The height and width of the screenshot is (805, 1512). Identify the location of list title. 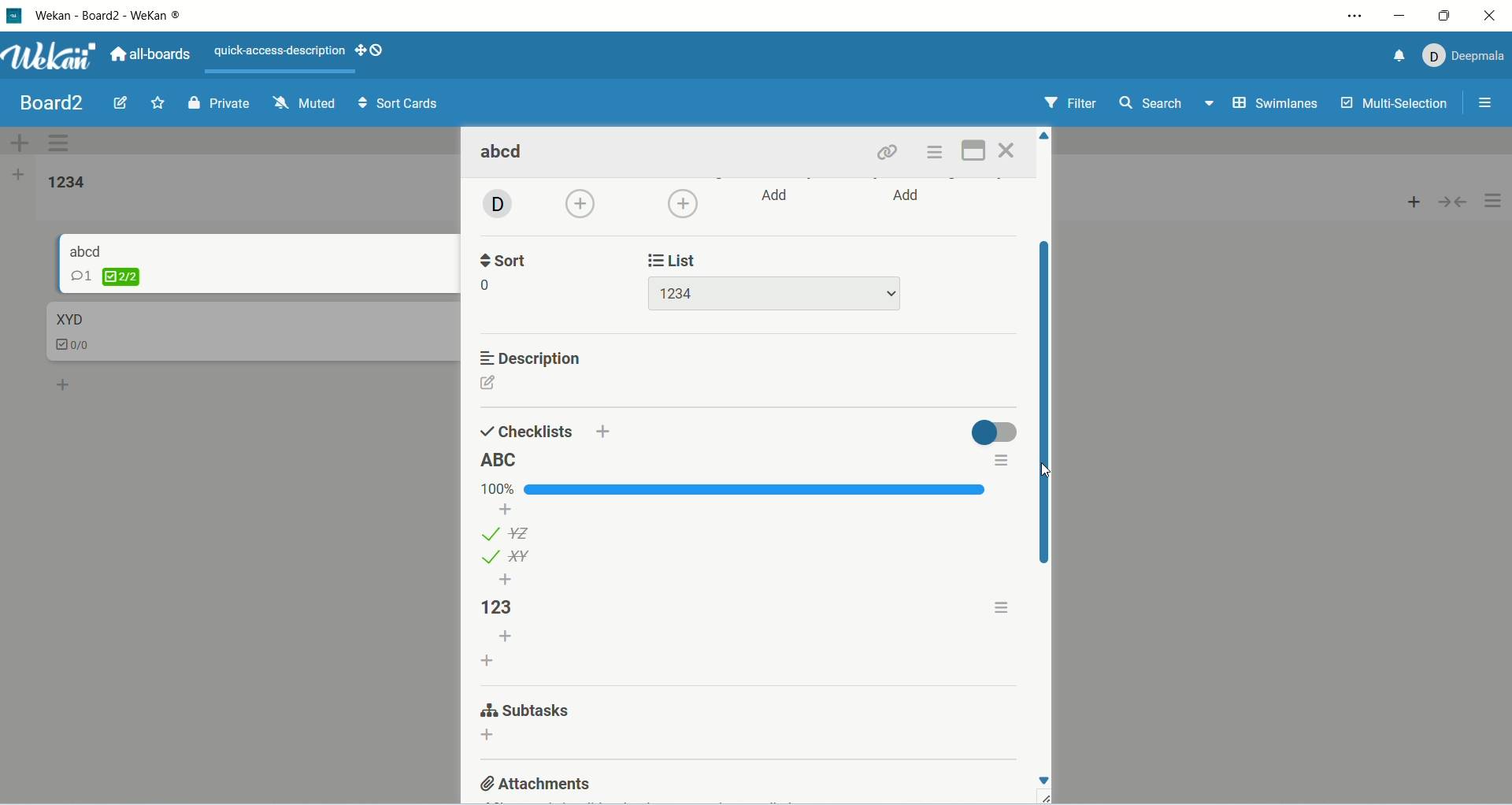
(502, 461).